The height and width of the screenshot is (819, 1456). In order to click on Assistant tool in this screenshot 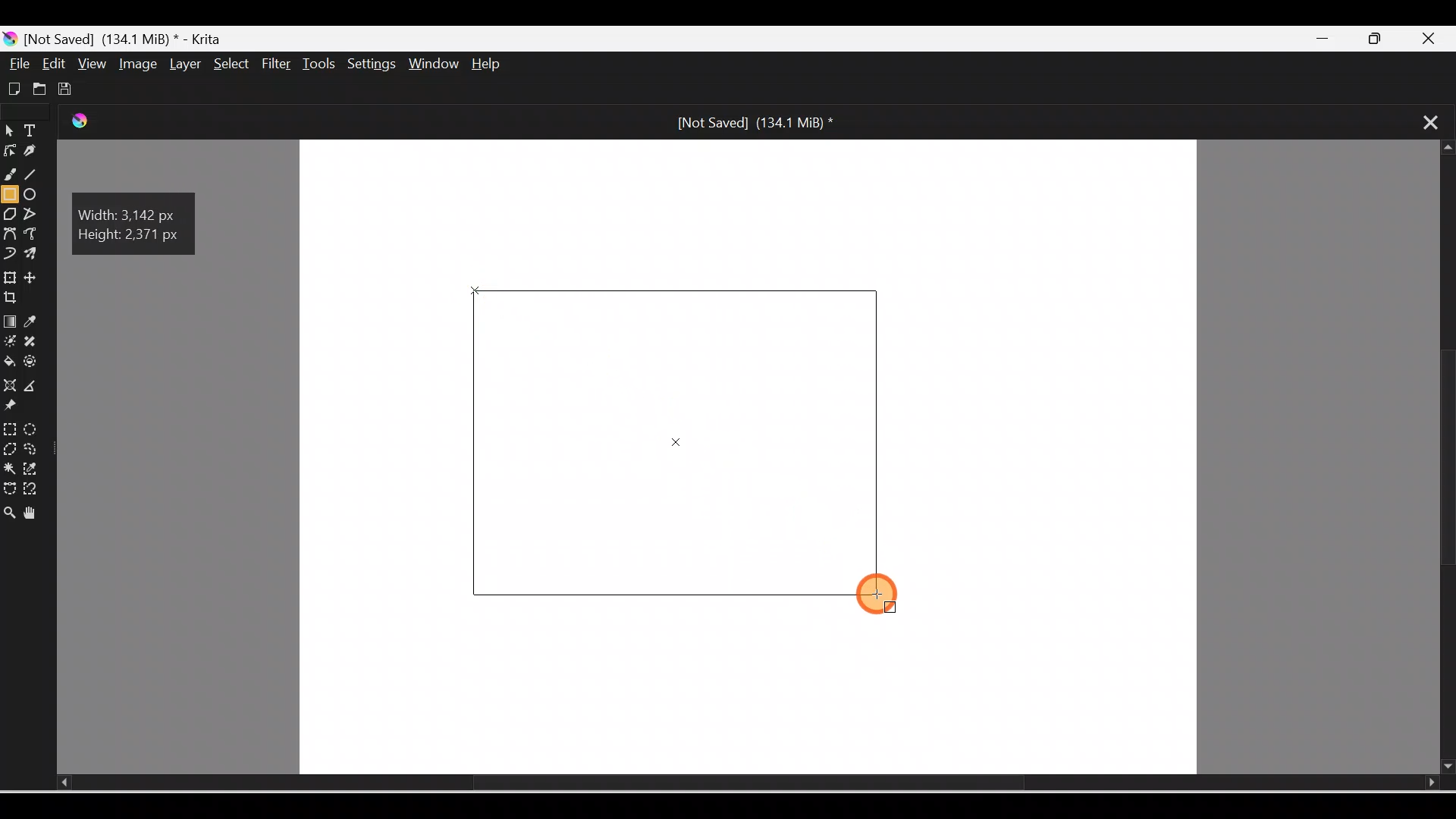, I will do `click(9, 385)`.